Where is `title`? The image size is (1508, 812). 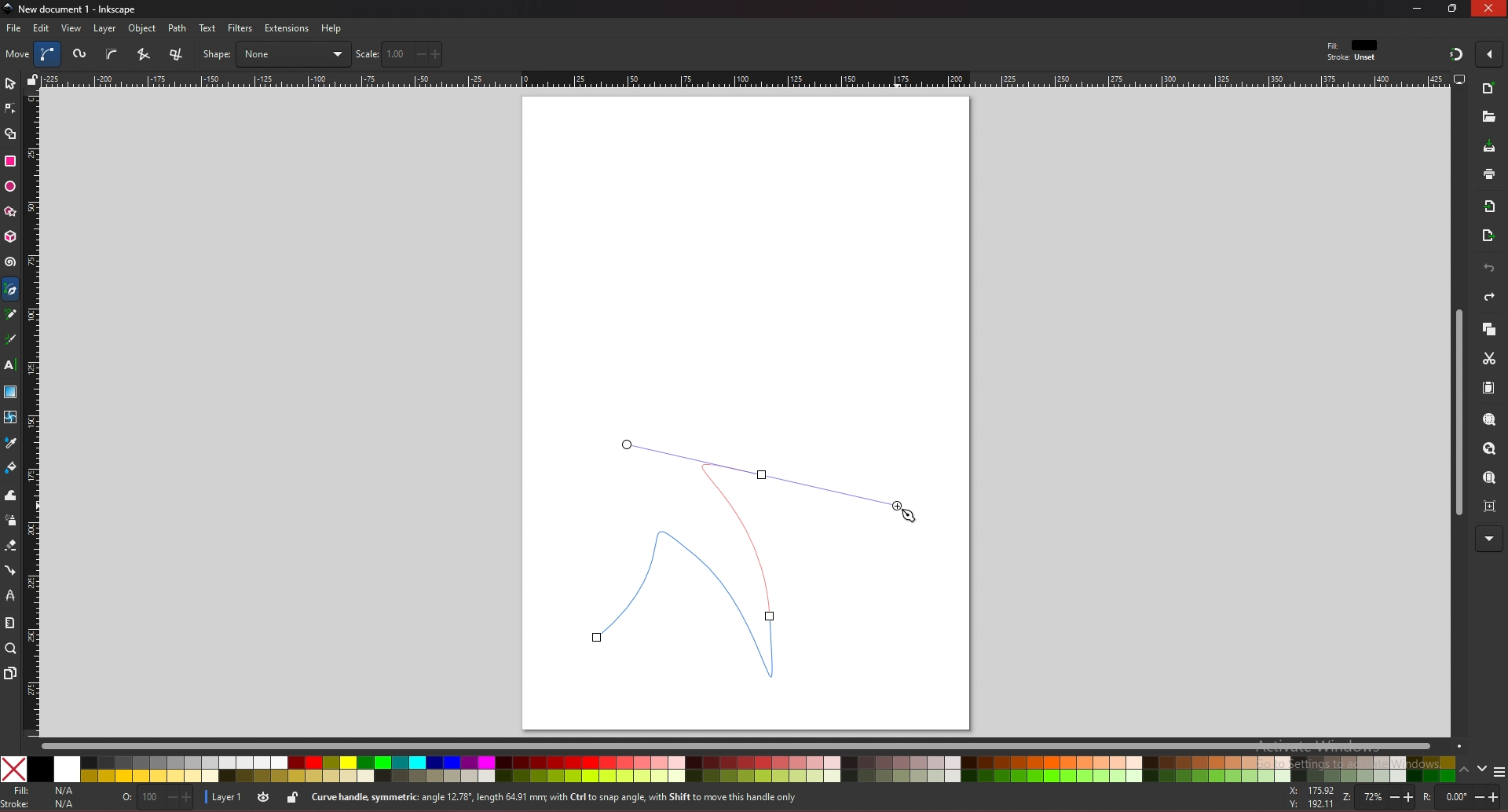
title is located at coordinates (72, 8).